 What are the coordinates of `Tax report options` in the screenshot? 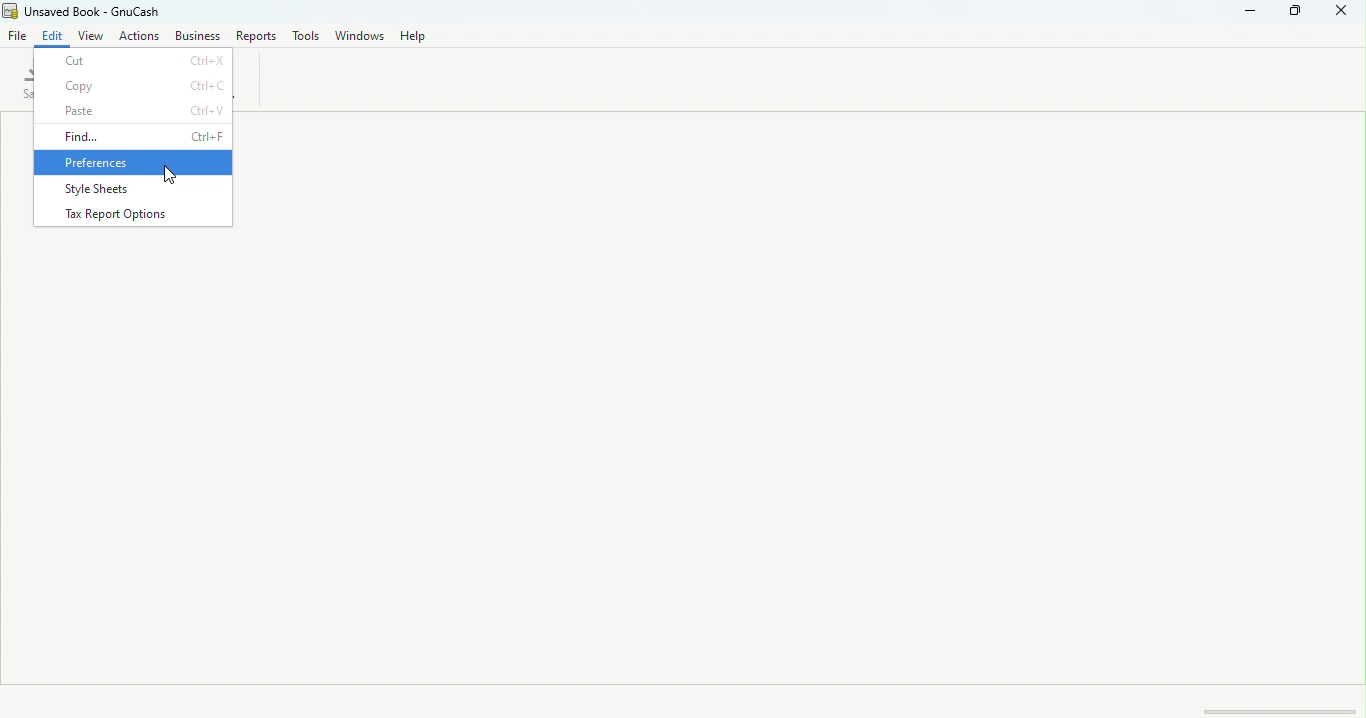 It's located at (139, 215).